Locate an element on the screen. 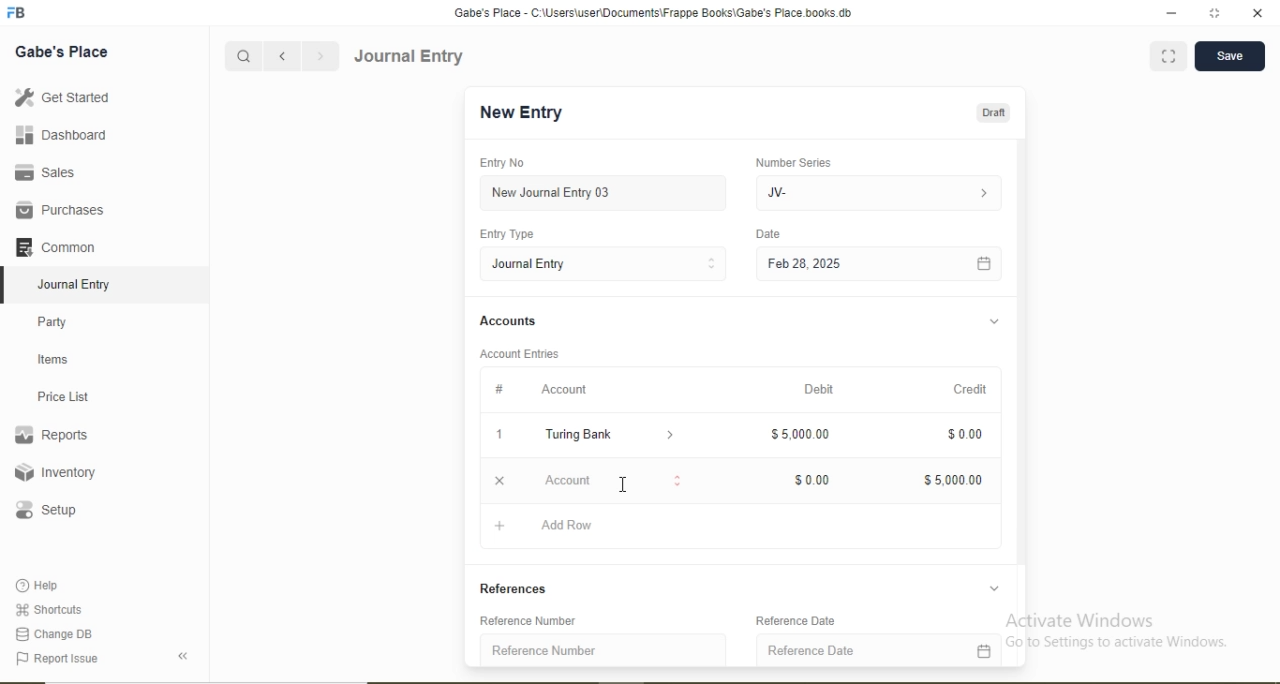 The width and height of the screenshot is (1280, 684). Close is located at coordinates (500, 481).